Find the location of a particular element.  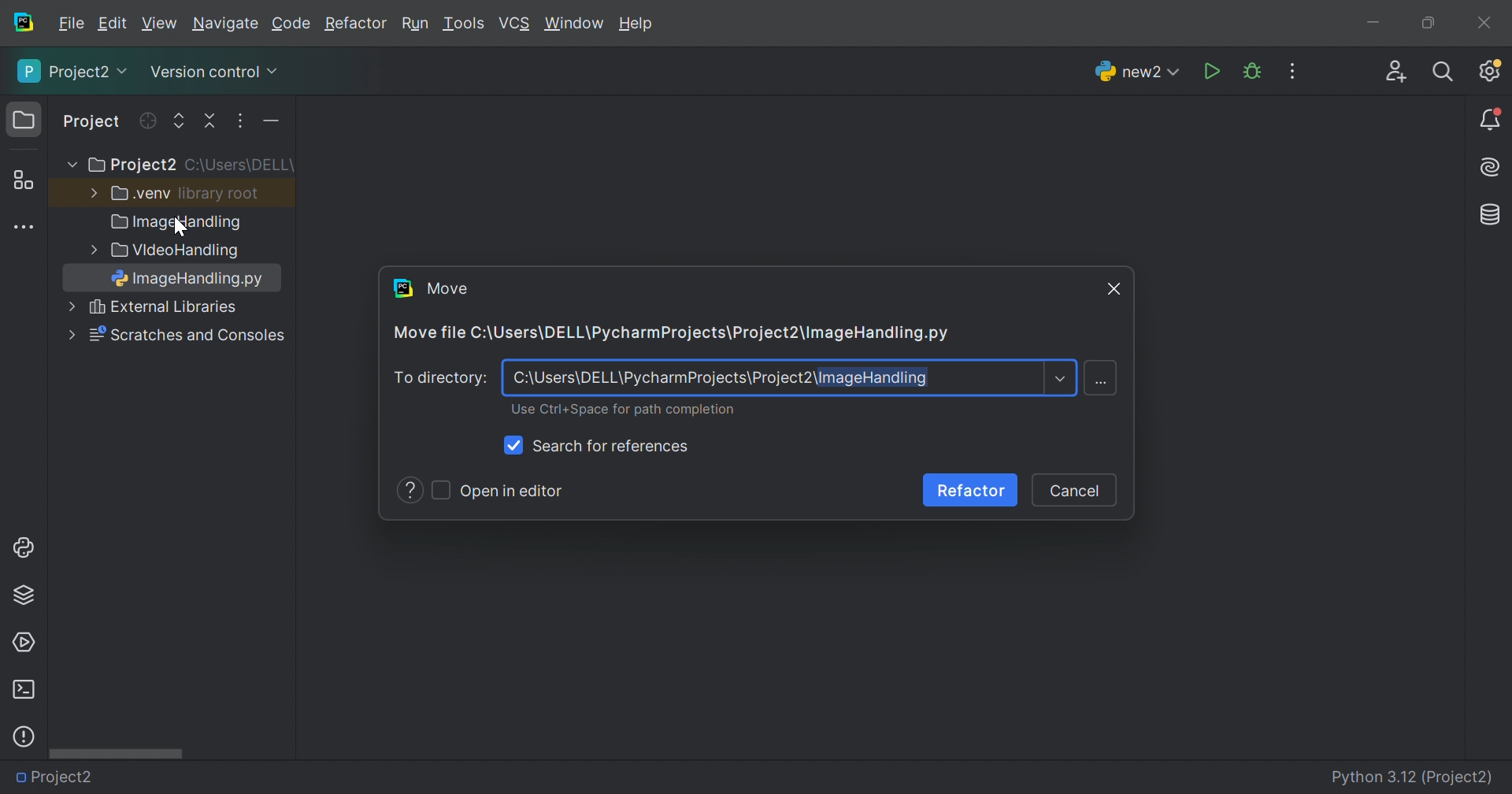

path is located at coordinates (724, 380).